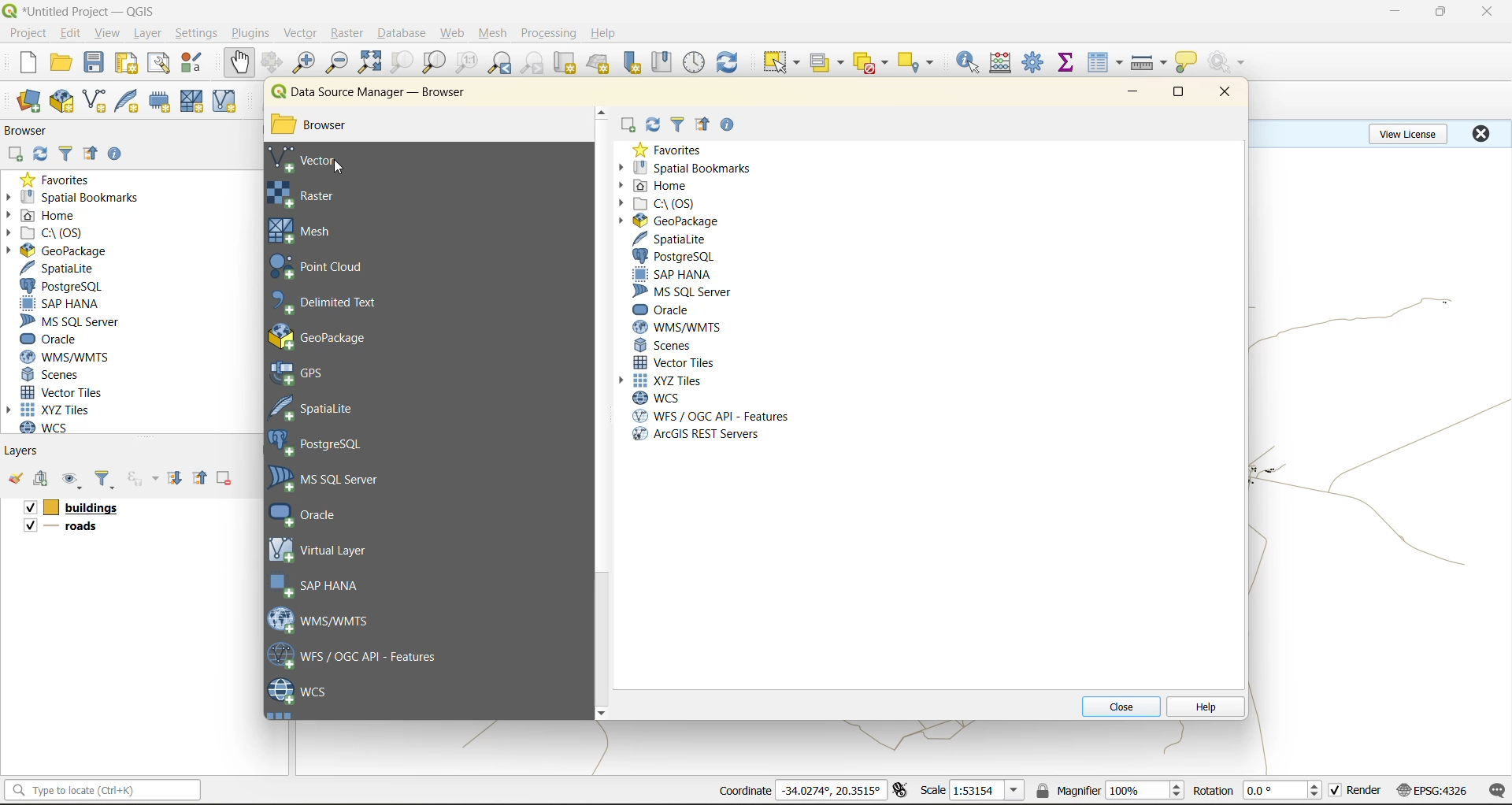 This screenshot has height=805, width=1512. I want to click on raster, so click(329, 195).